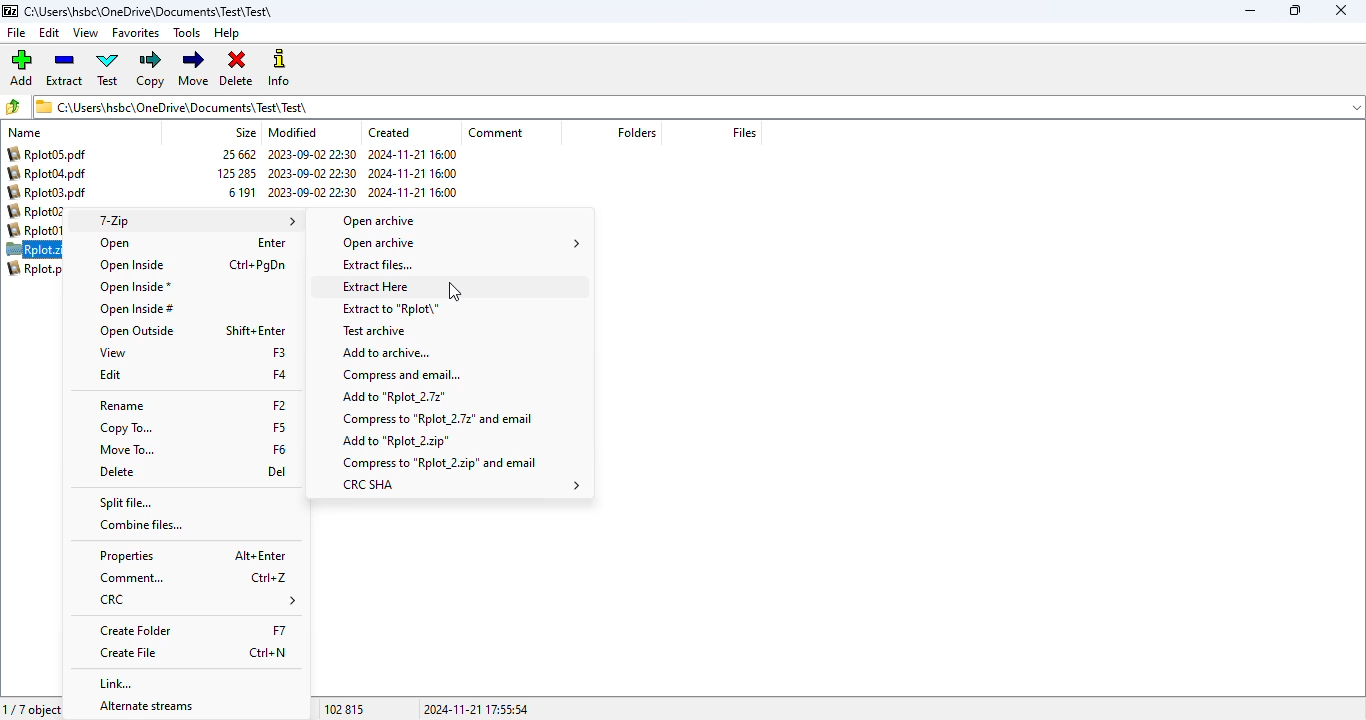 The width and height of the screenshot is (1366, 720). I want to click on Shift + Enter, so click(256, 330).